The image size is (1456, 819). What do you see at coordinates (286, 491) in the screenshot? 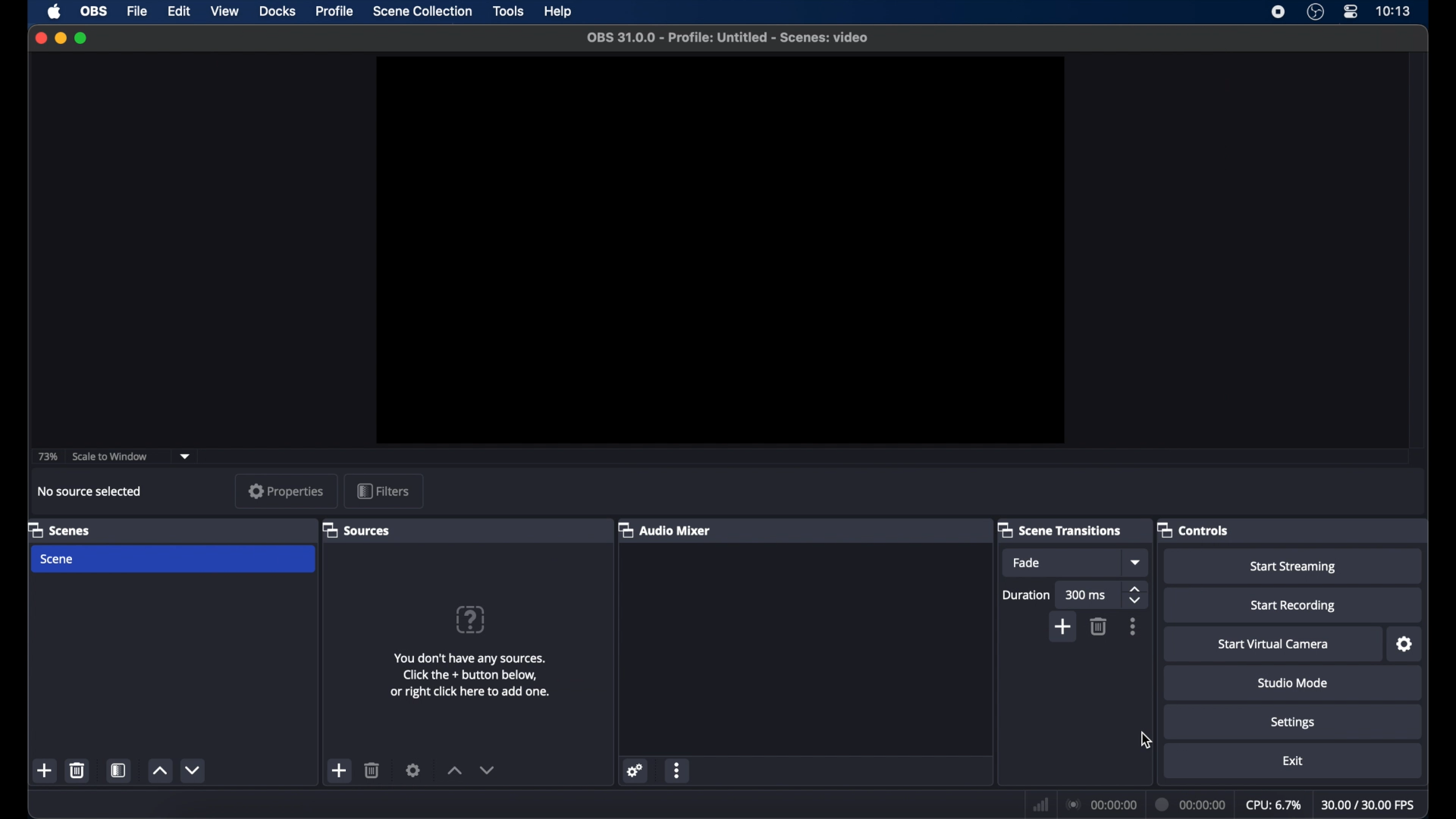
I see `properties` at bounding box center [286, 491].